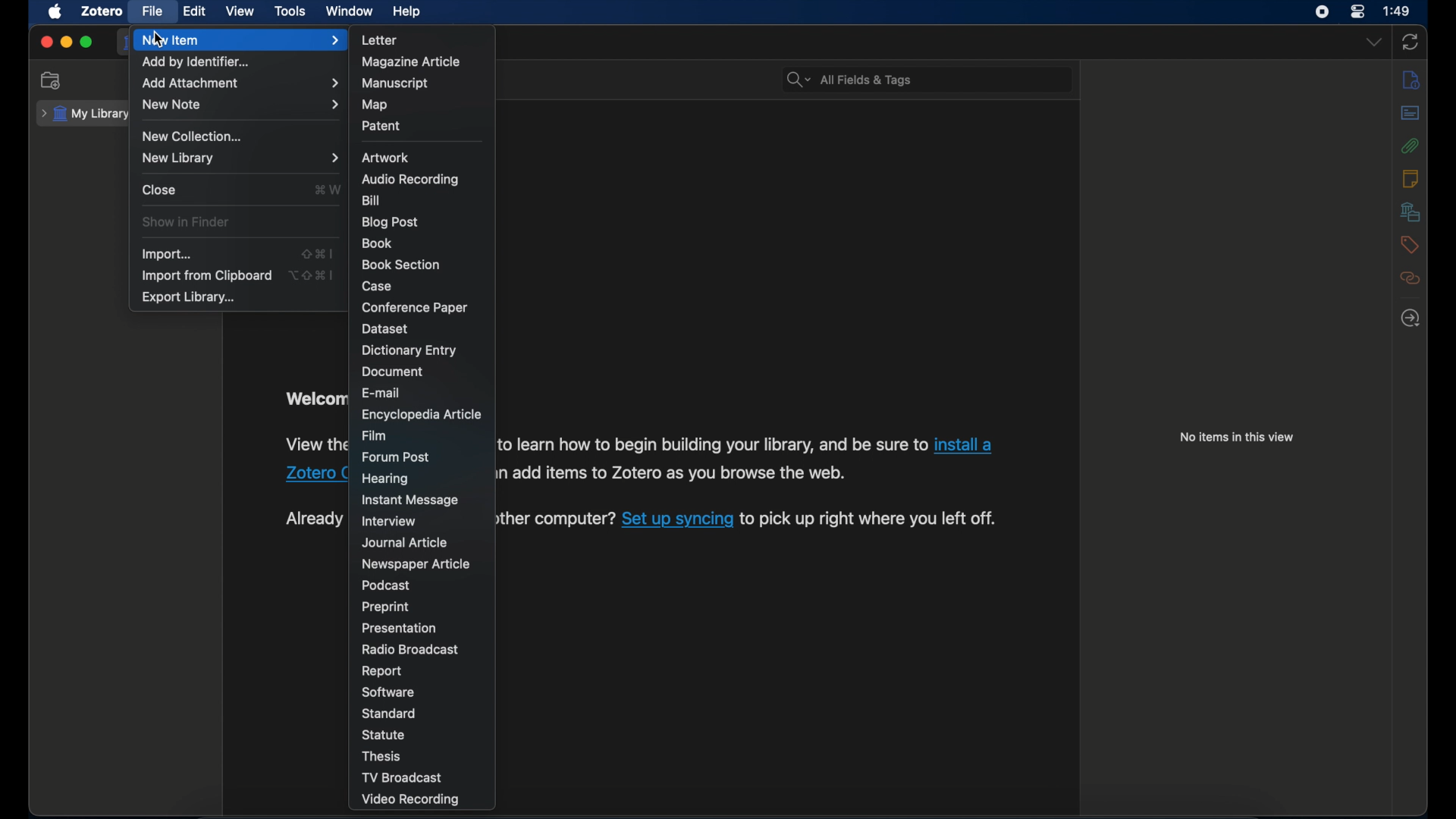 The width and height of the screenshot is (1456, 819). Describe the element at coordinates (1414, 178) in the screenshot. I see `notes` at that location.